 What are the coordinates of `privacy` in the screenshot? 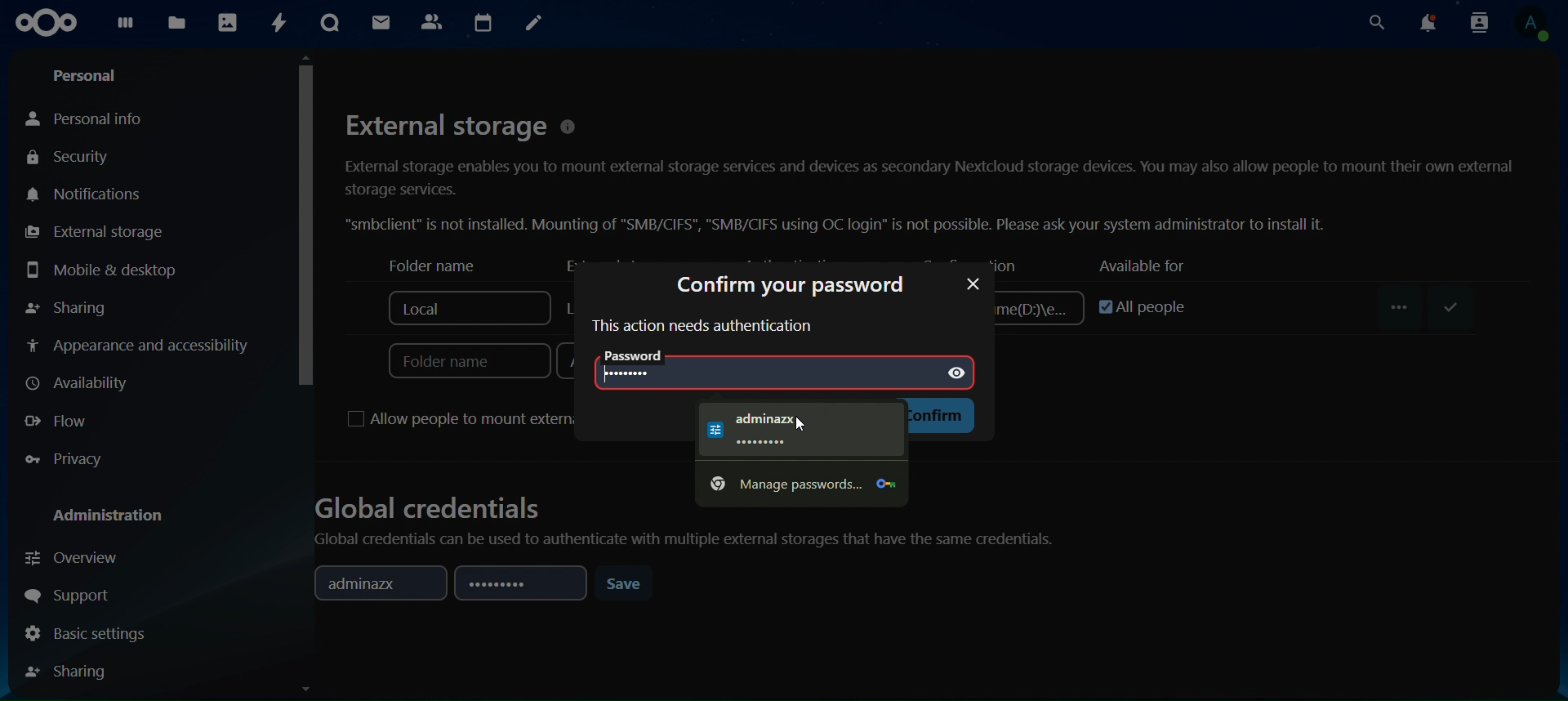 It's located at (64, 458).